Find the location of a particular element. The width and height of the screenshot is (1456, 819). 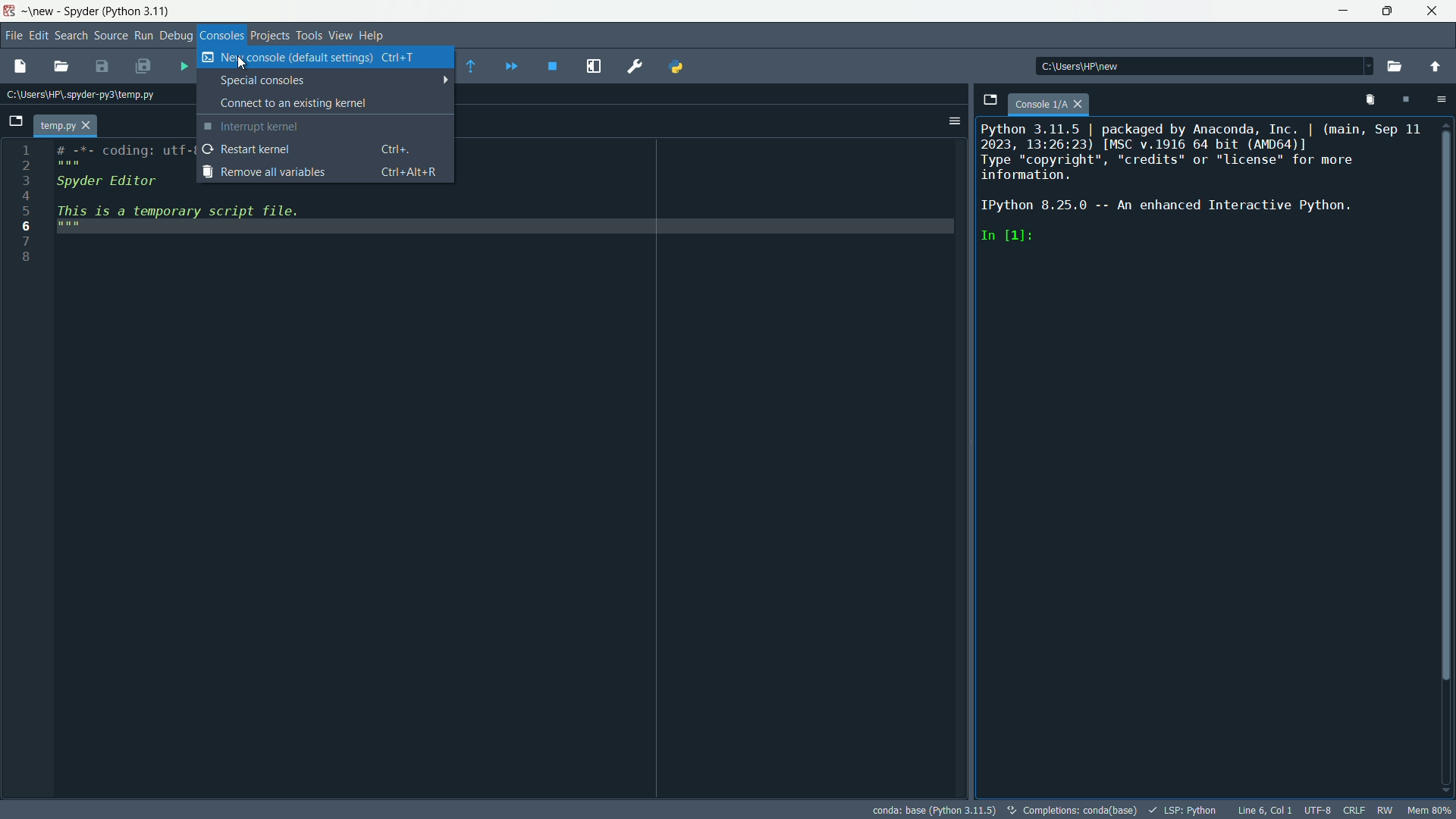

close is located at coordinates (1081, 105).